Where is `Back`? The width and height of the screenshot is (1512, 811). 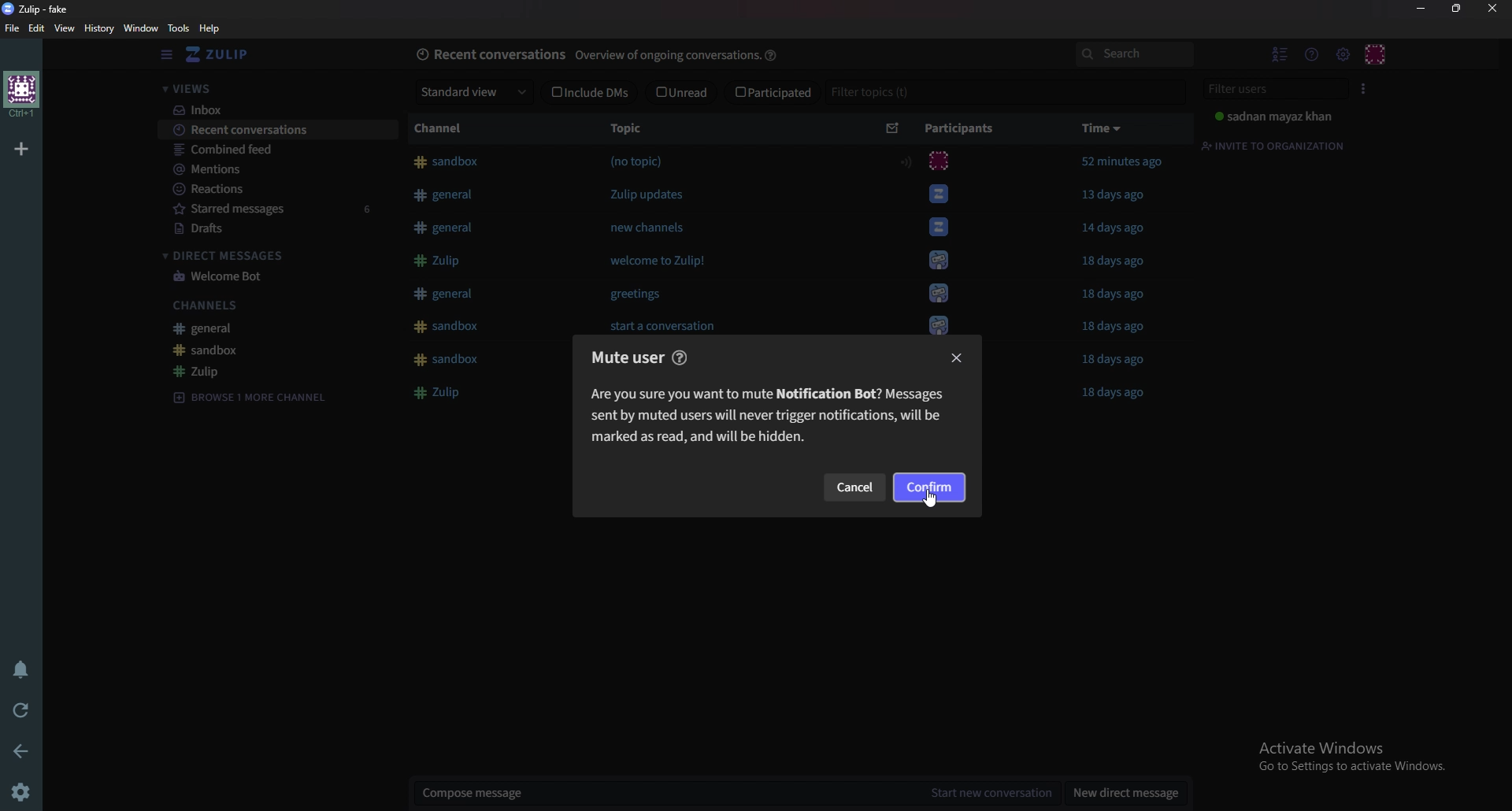
Back is located at coordinates (24, 751).